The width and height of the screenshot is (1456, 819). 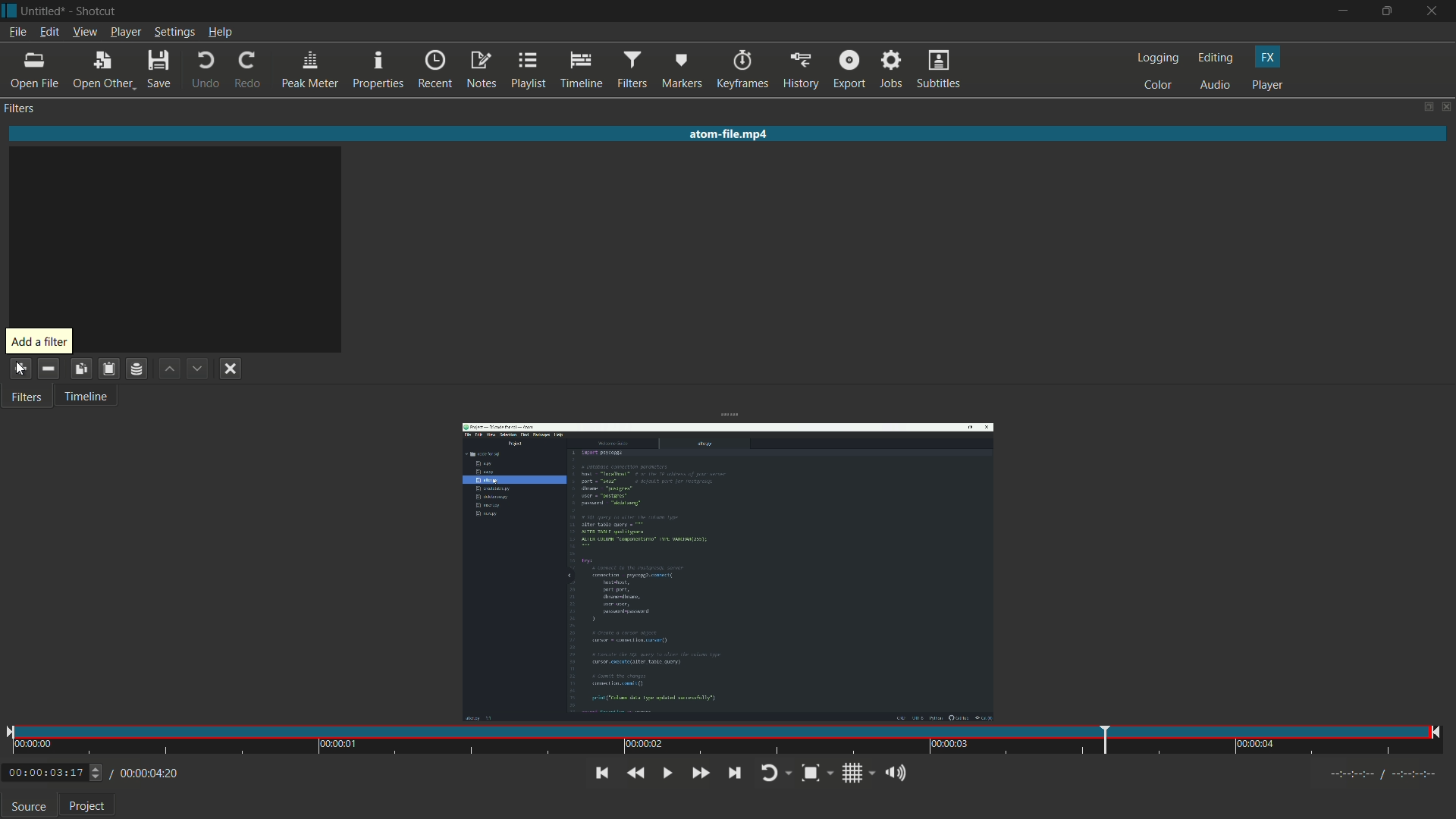 I want to click on open file, so click(x=33, y=71).